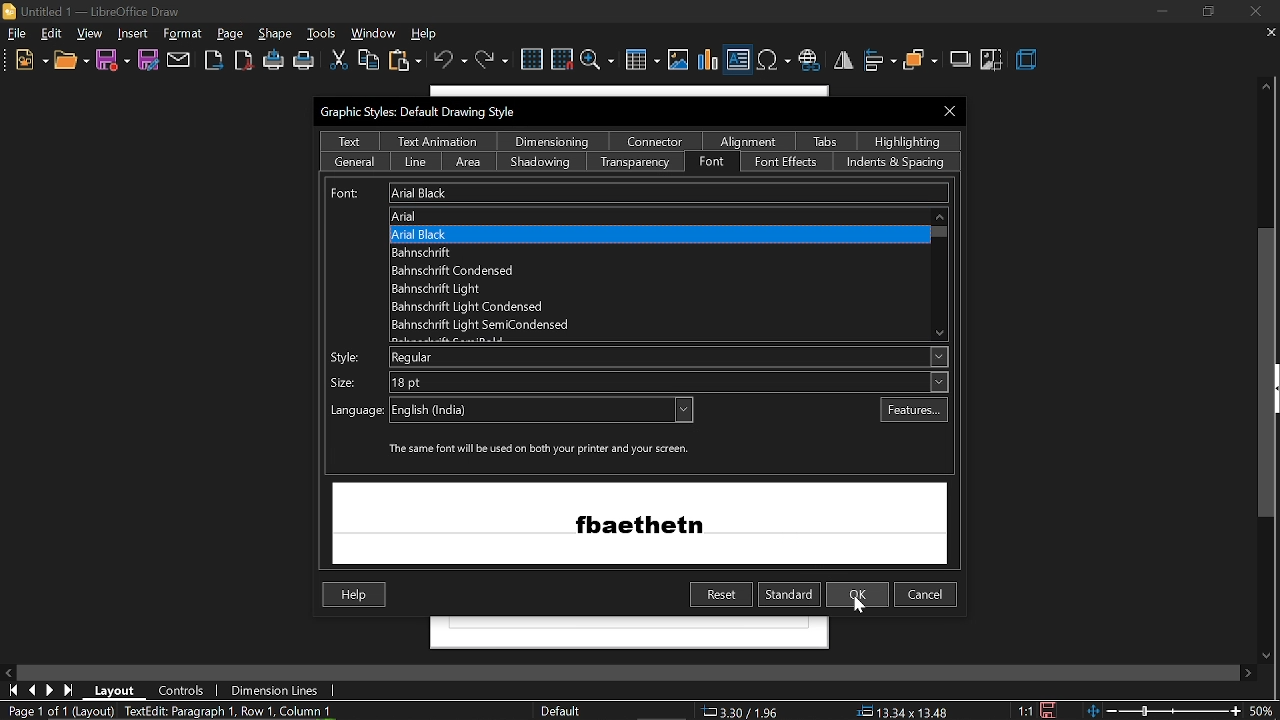 Image resolution: width=1280 pixels, height=720 pixels. I want to click on TextEdit: Paragraph 1, Row 1, Column 10, so click(232, 711).